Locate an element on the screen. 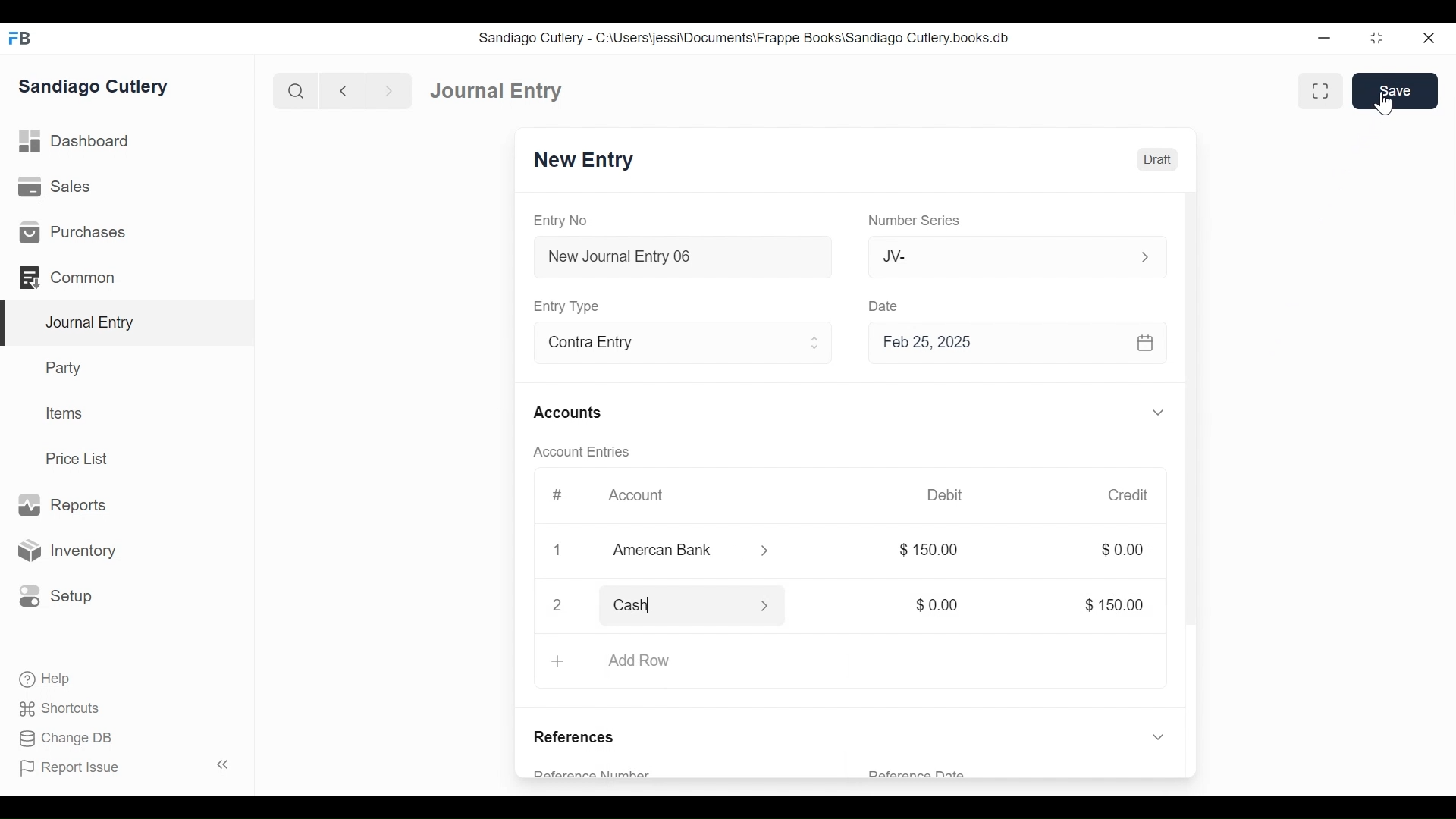  Expand is located at coordinates (1158, 682).